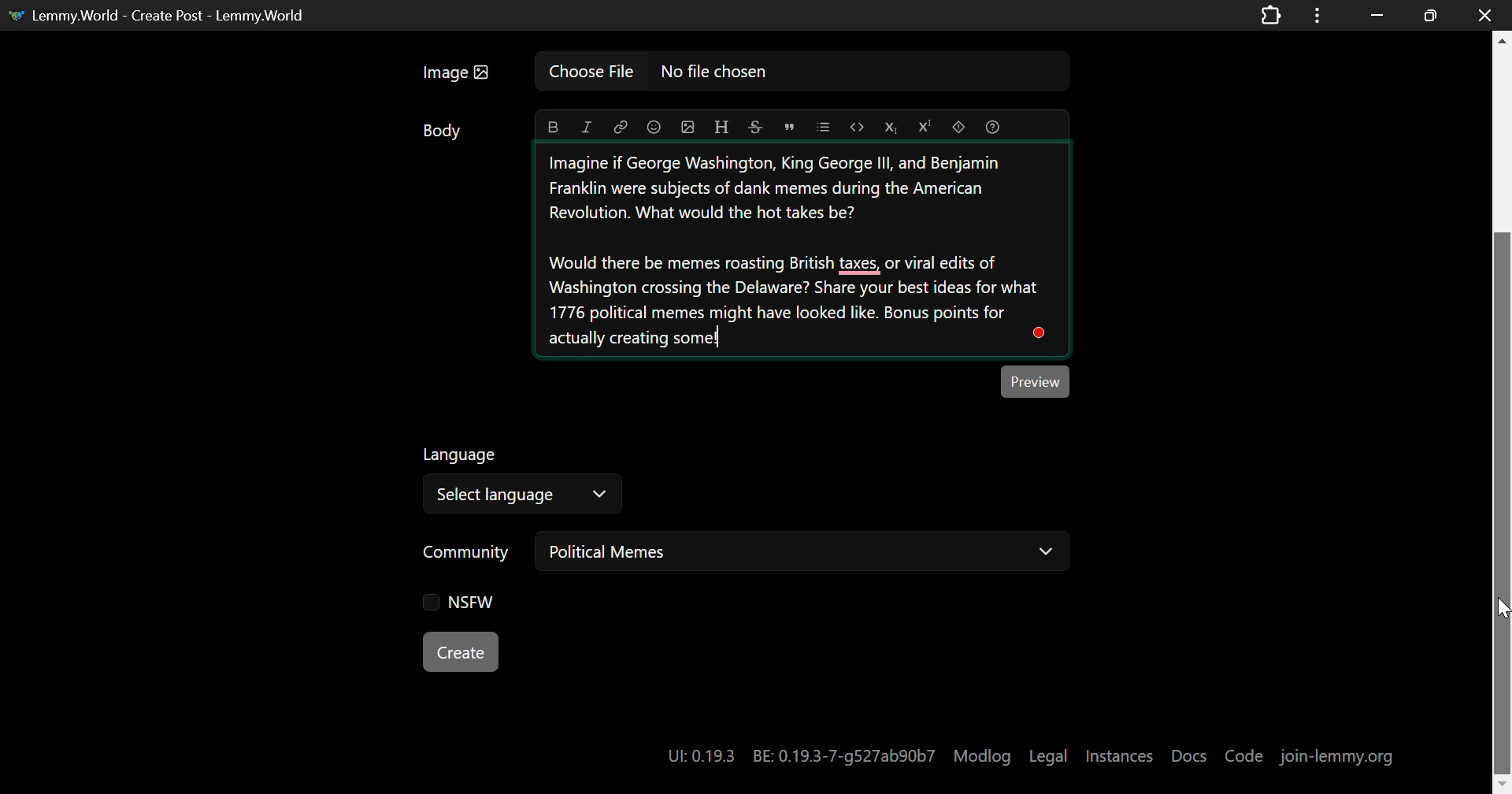 Image resolution: width=1512 pixels, height=794 pixels. Describe the element at coordinates (1336, 756) in the screenshot. I see `join-lemmy.org` at that location.